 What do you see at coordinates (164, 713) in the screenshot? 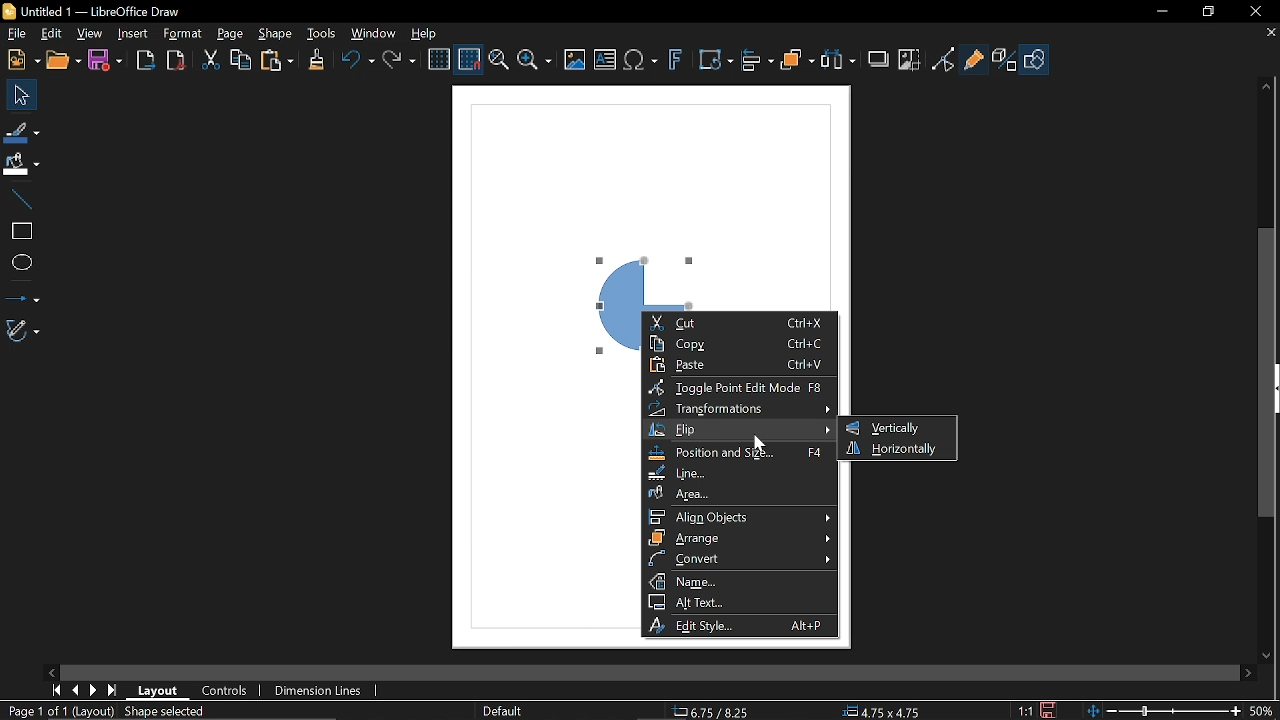
I see `shape selected` at bounding box center [164, 713].